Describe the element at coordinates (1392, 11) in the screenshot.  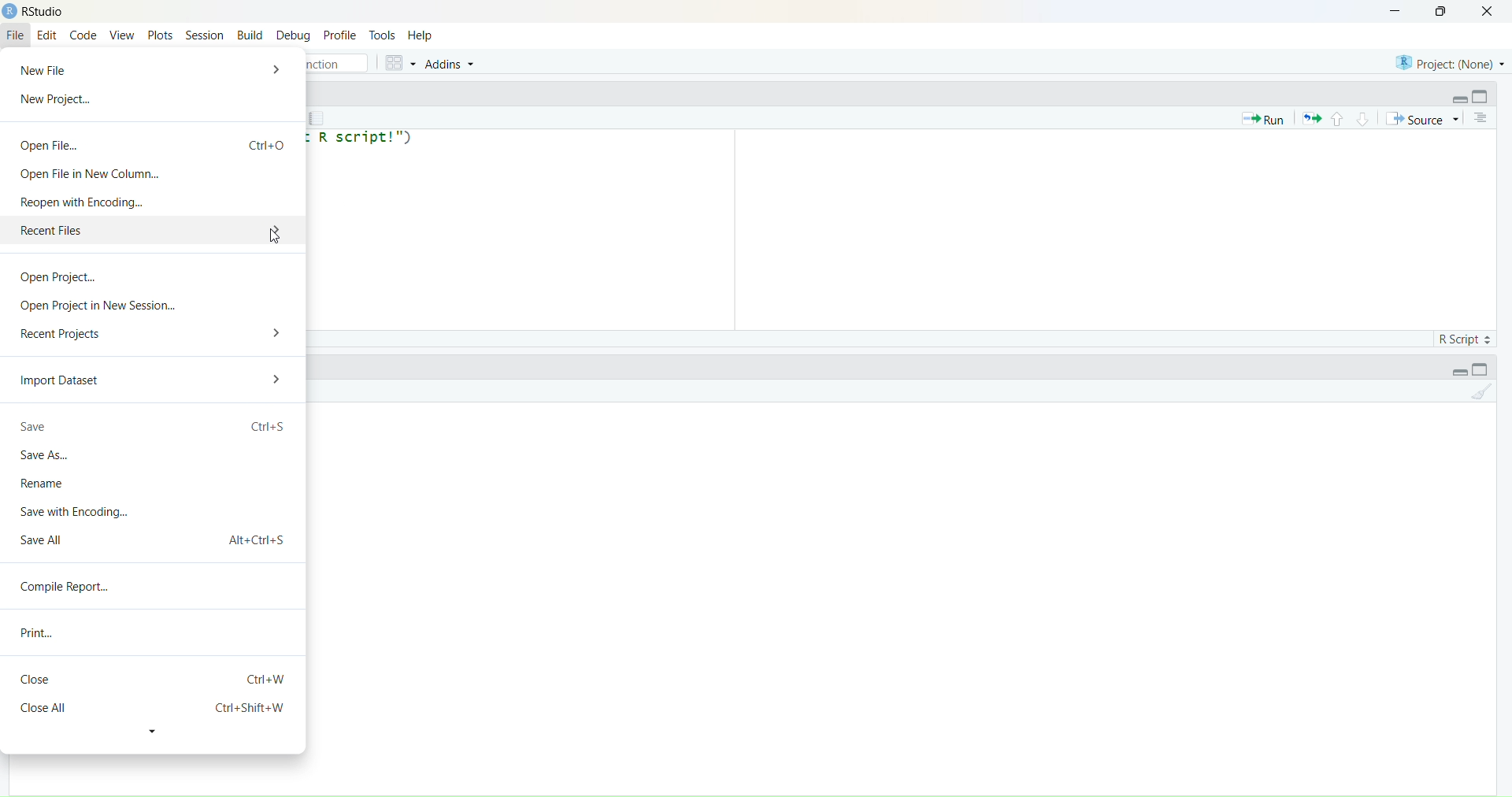
I see `Minimize` at that location.